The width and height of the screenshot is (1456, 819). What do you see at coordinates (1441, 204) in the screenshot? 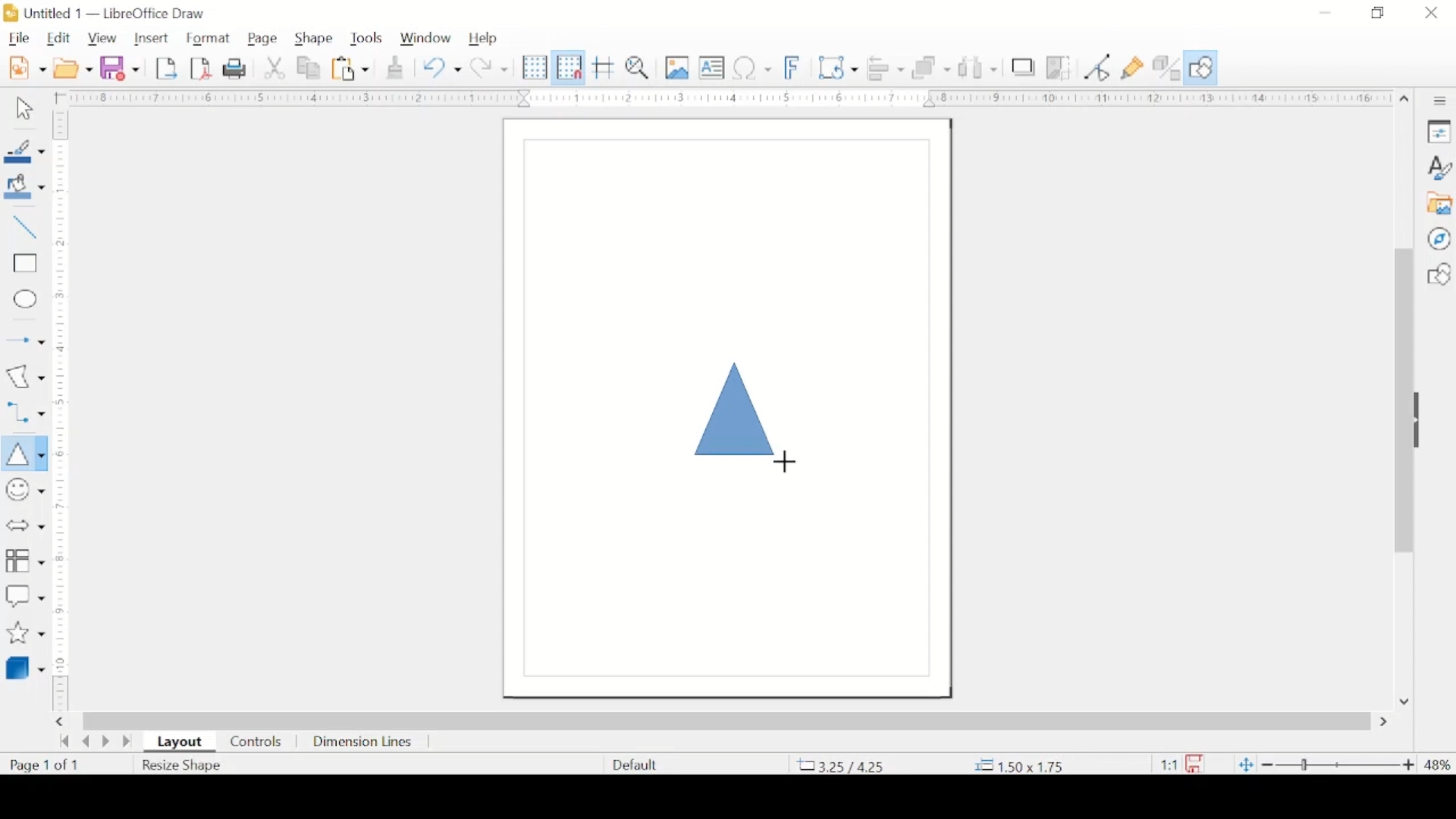
I see `gallery` at bounding box center [1441, 204].